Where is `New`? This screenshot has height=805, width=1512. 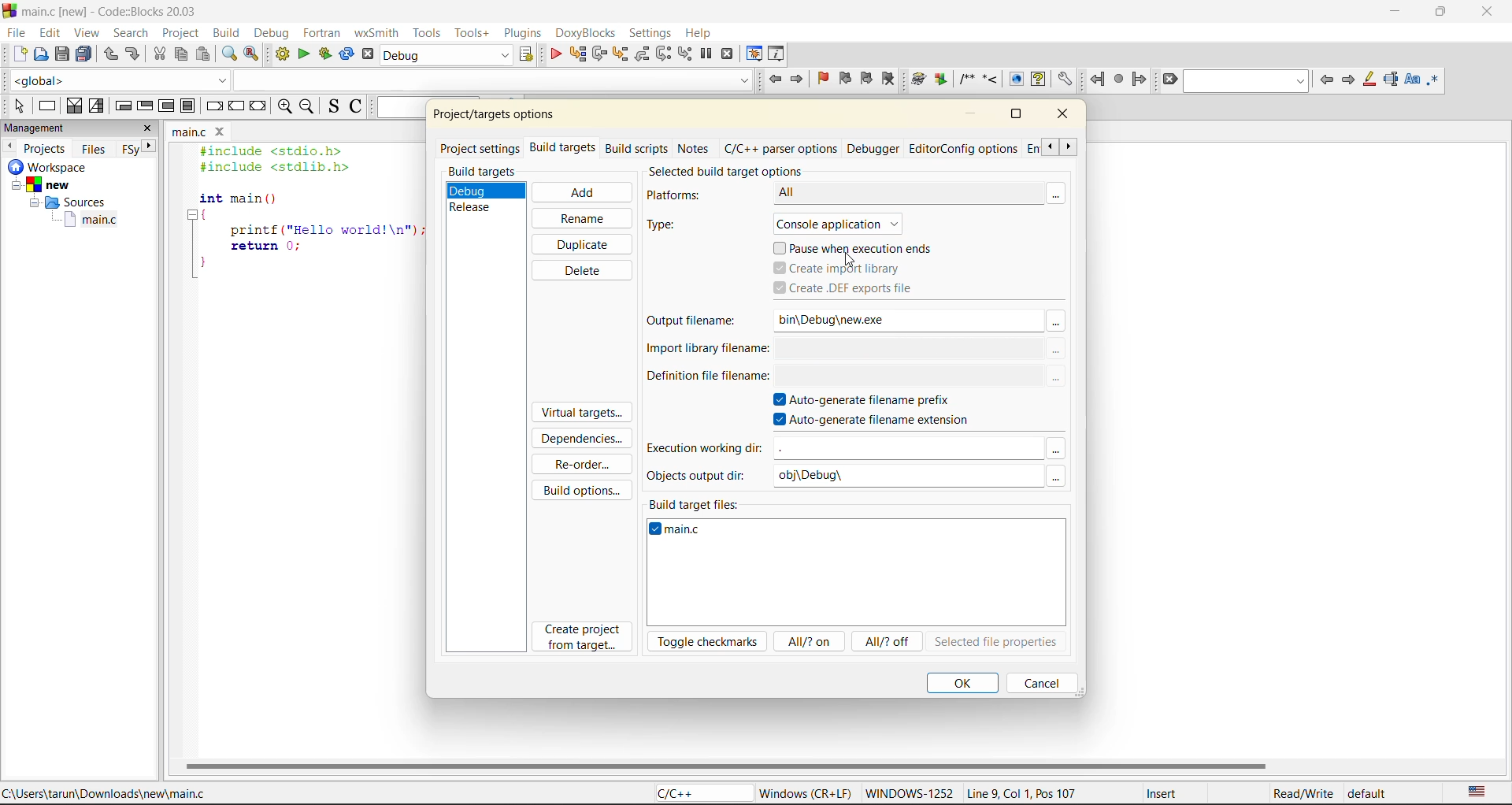
New is located at coordinates (51, 185).